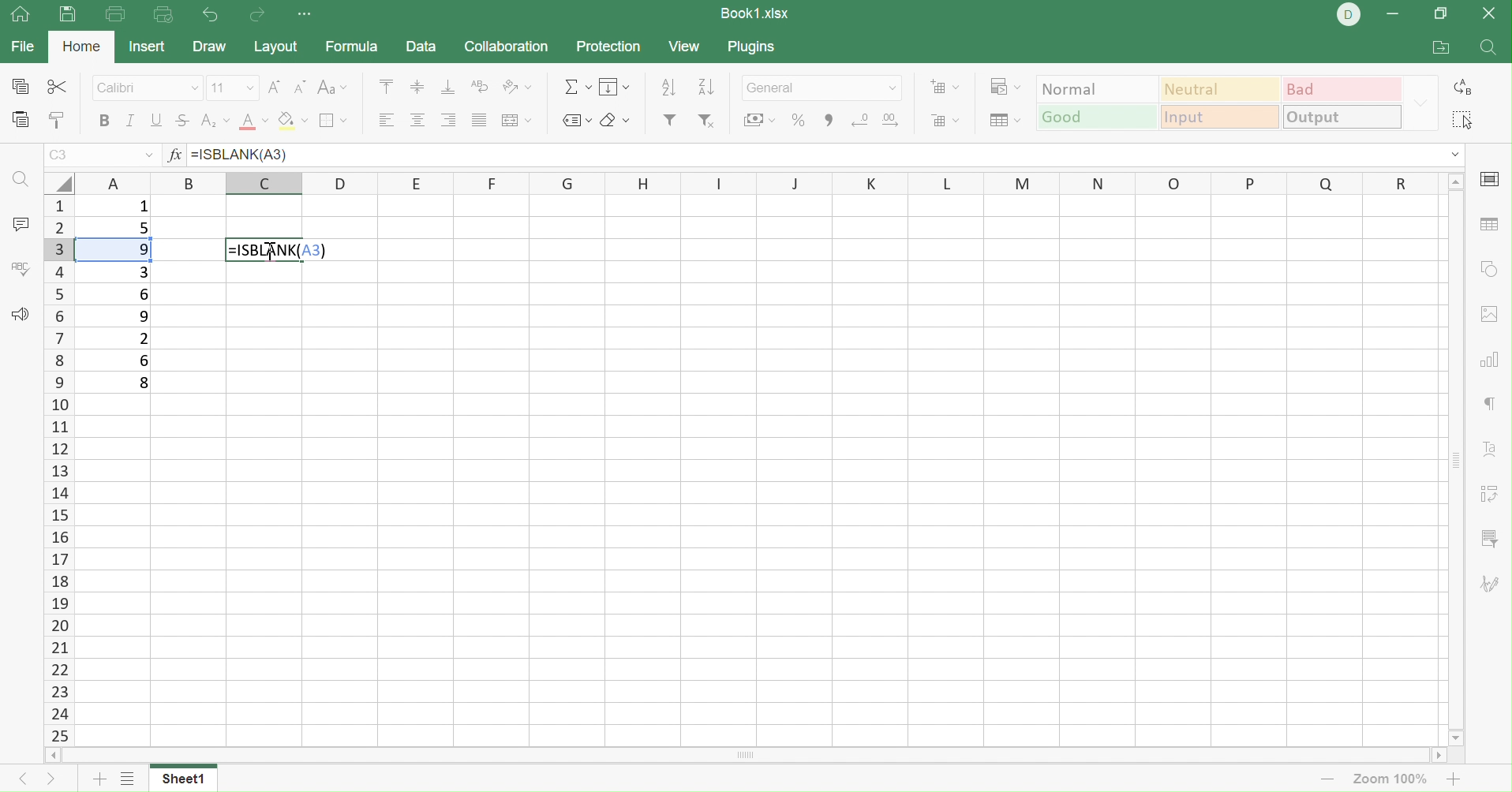 Image resolution: width=1512 pixels, height=792 pixels. What do you see at coordinates (386, 120) in the screenshot?
I see `Align left` at bounding box center [386, 120].